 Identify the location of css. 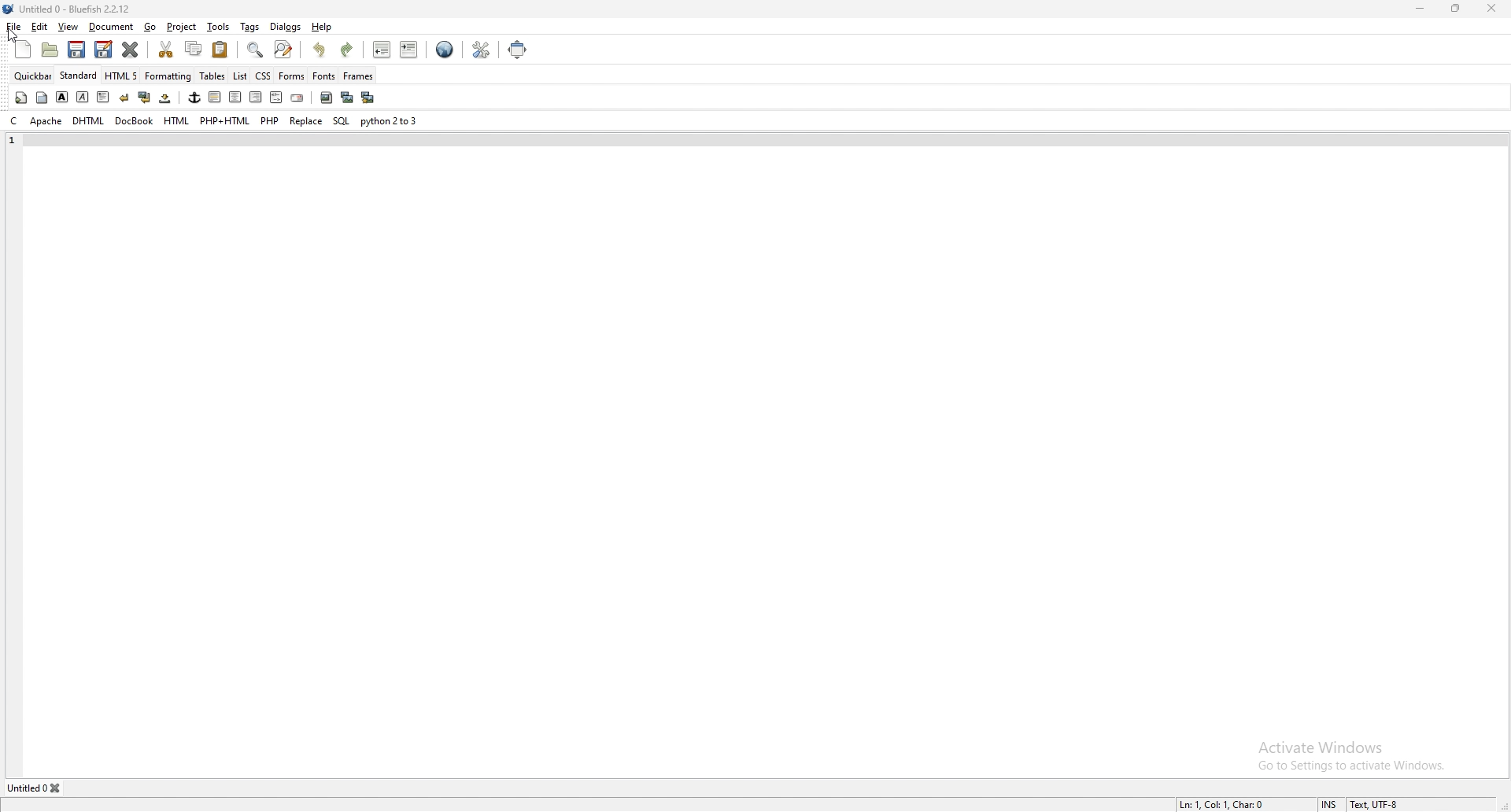
(263, 76).